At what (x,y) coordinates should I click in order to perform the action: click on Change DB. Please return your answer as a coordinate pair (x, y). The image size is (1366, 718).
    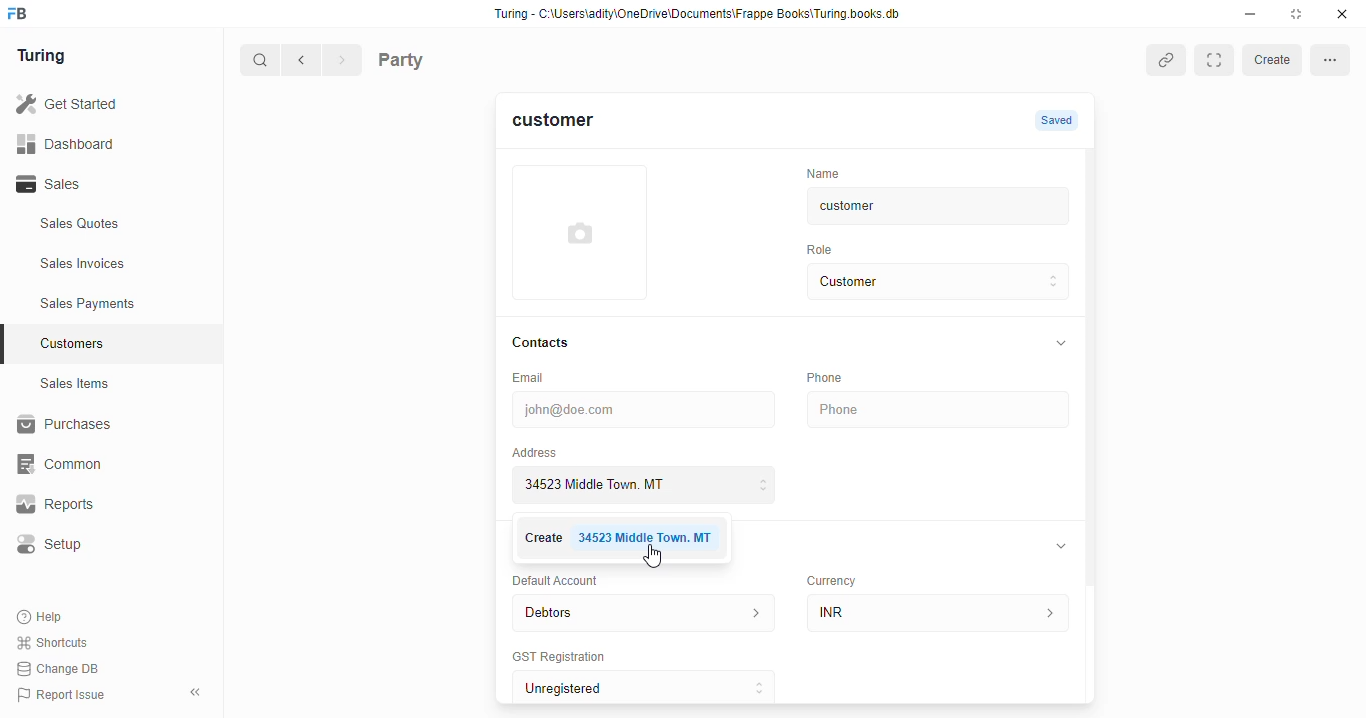
    Looking at the image, I should click on (62, 668).